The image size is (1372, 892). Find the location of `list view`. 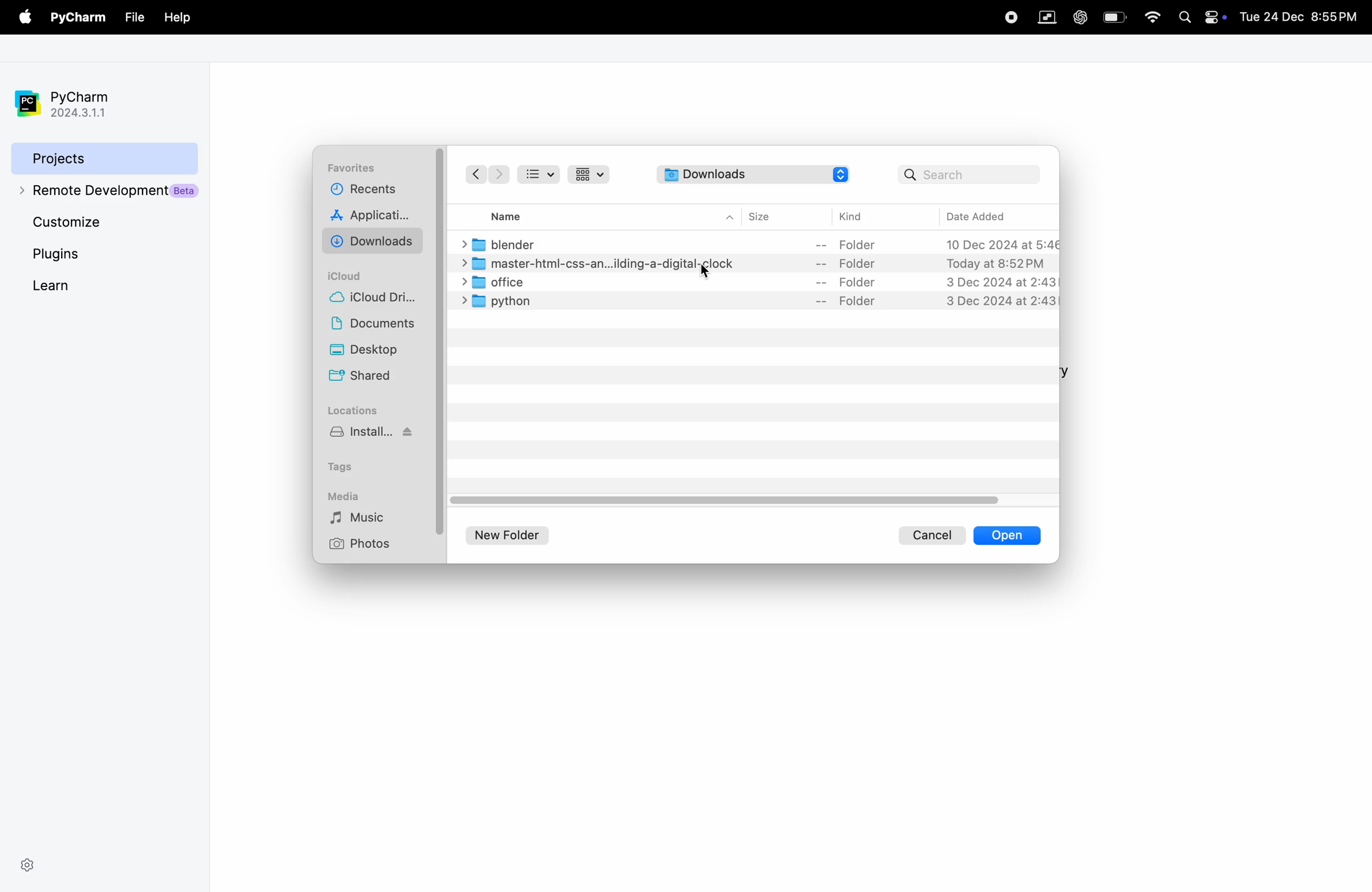

list view is located at coordinates (543, 173).